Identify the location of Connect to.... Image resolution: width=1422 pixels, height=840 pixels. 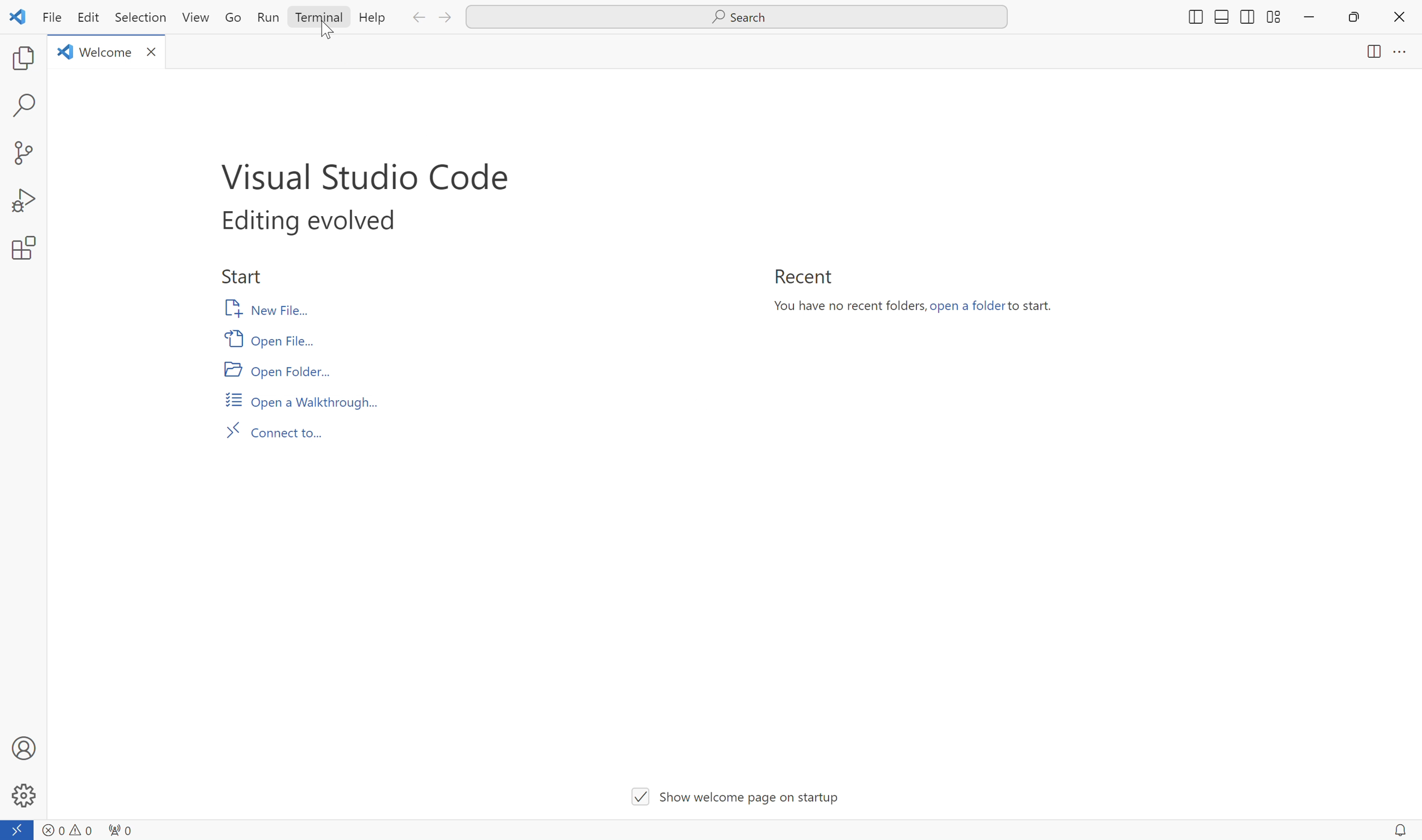
(280, 431).